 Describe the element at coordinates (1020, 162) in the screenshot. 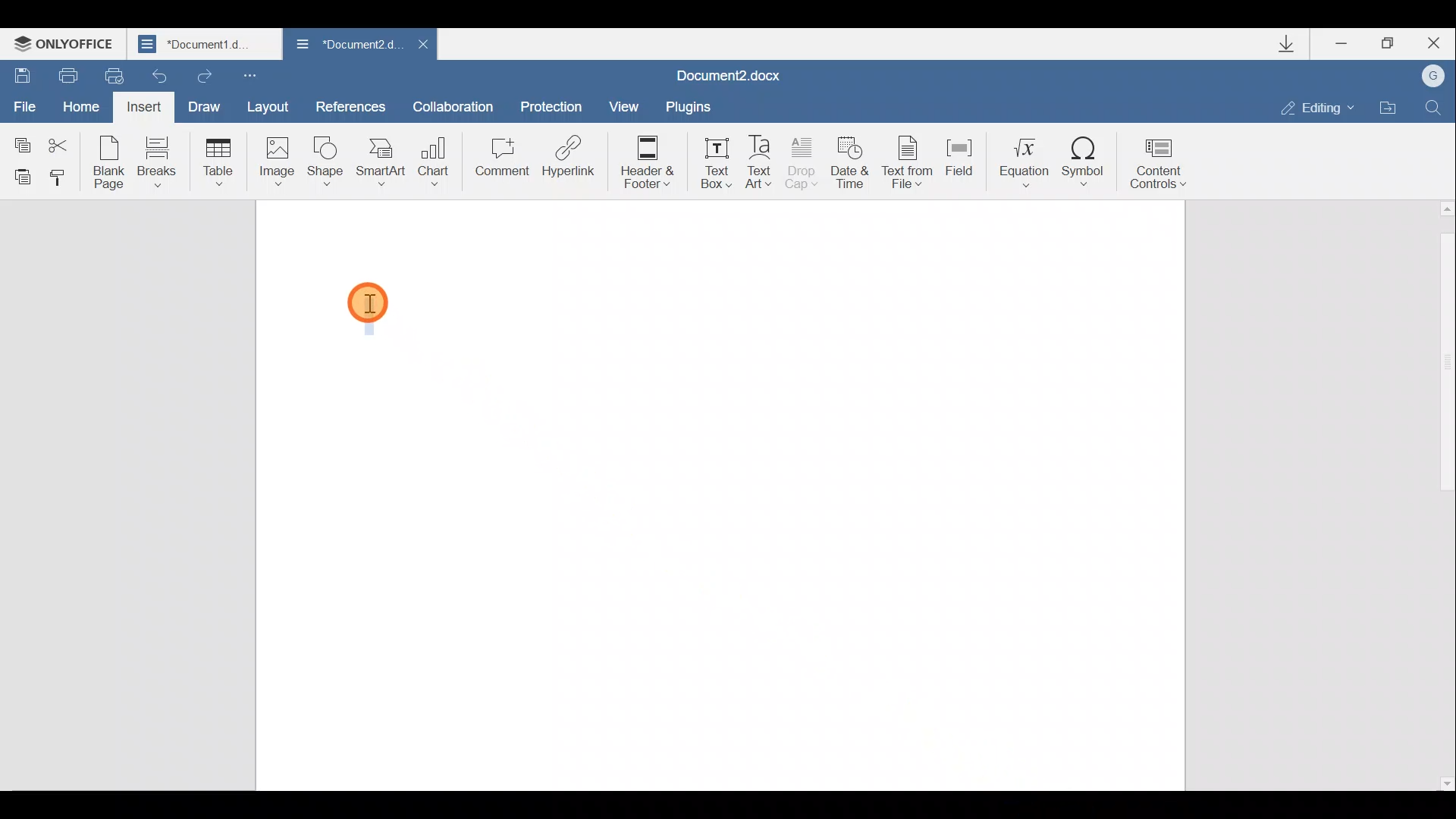

I see `Equation` at that location.